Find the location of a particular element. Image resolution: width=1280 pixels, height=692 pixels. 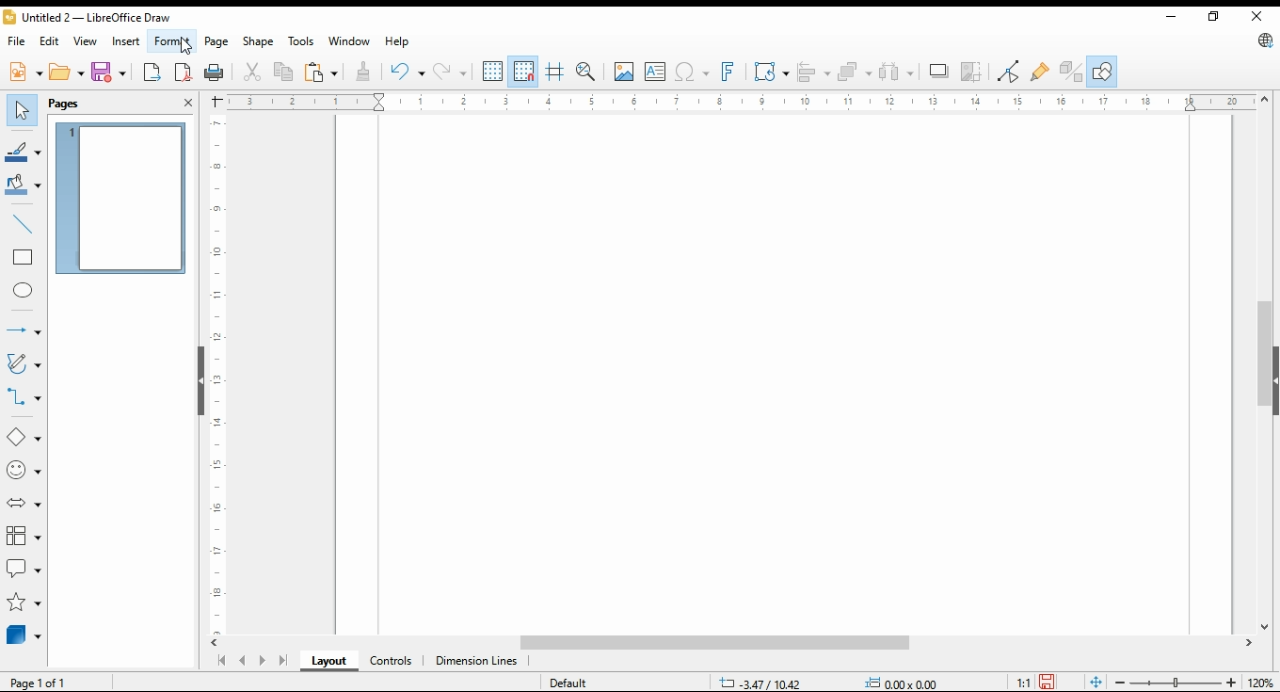

help is located at coordinates (397, 41).